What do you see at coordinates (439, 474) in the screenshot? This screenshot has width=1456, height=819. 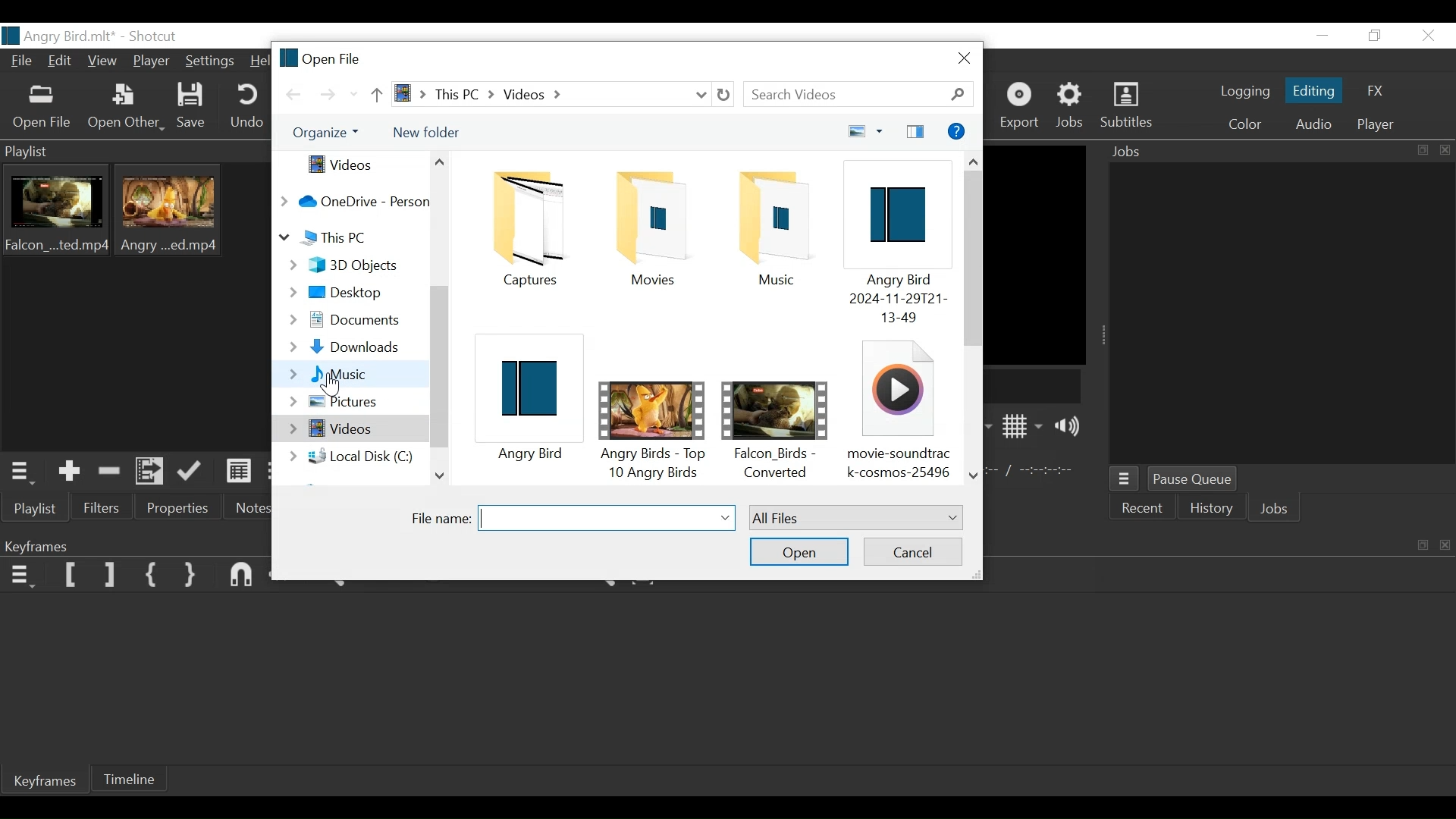 I see `Scroll Down` at bounding box center [439, 474].